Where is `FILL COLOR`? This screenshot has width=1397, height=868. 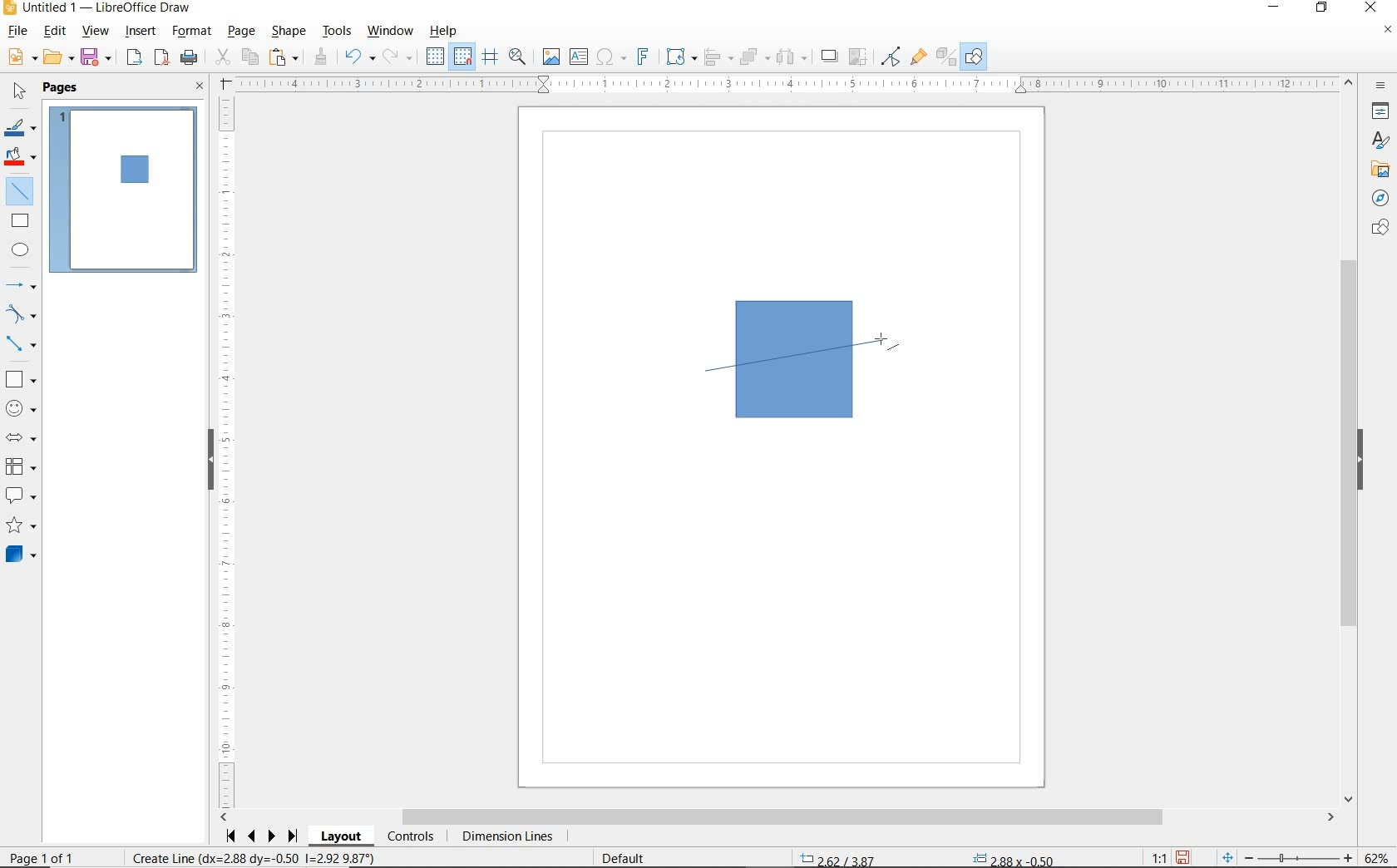 FILL COLOR is located at coordinates (22, 159).